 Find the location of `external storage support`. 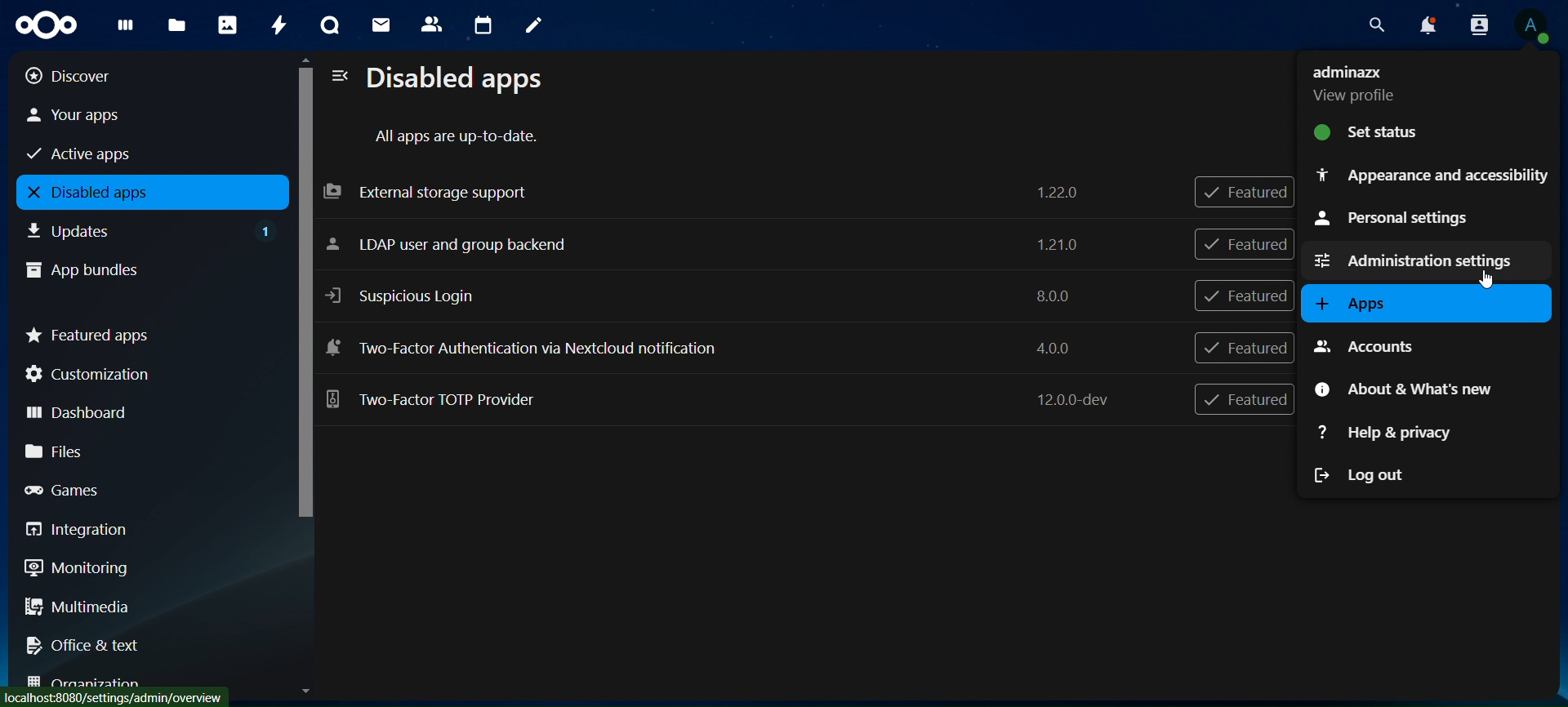

external storage support is located at coordinates (705, 191).